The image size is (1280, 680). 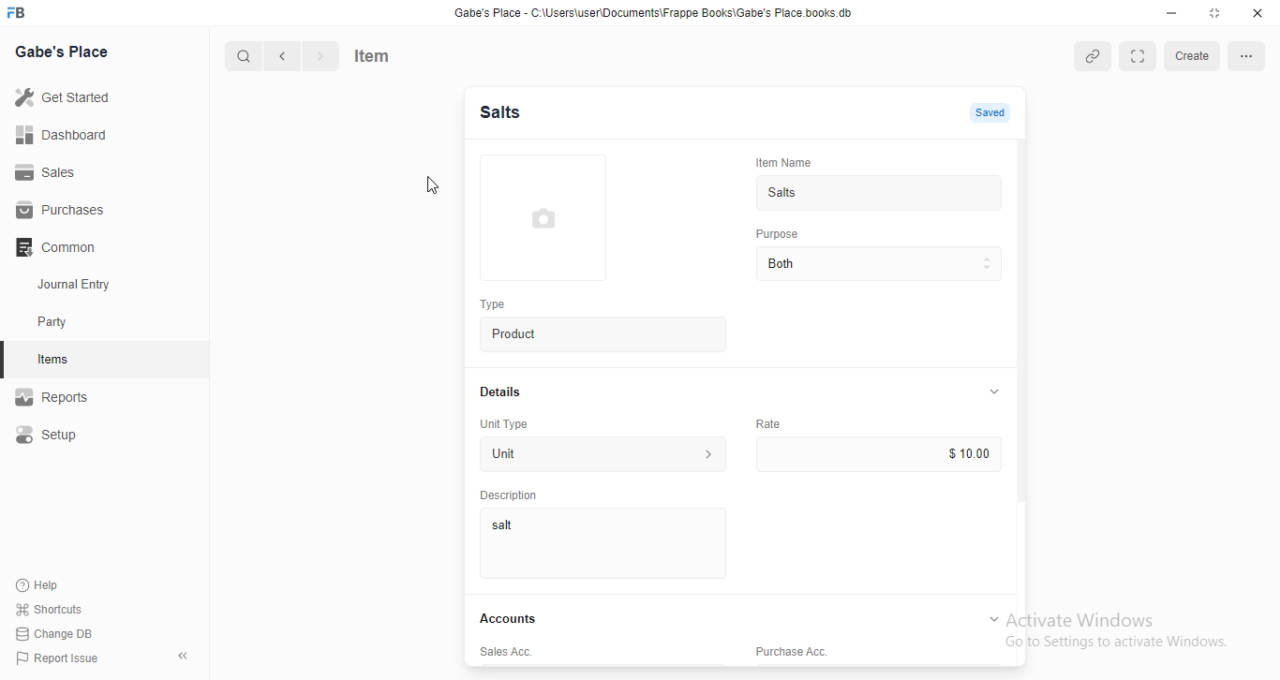 What do you see at coordinates (506, 527) in the screenshot?
I see `salt` at bounding box center [506, 527].